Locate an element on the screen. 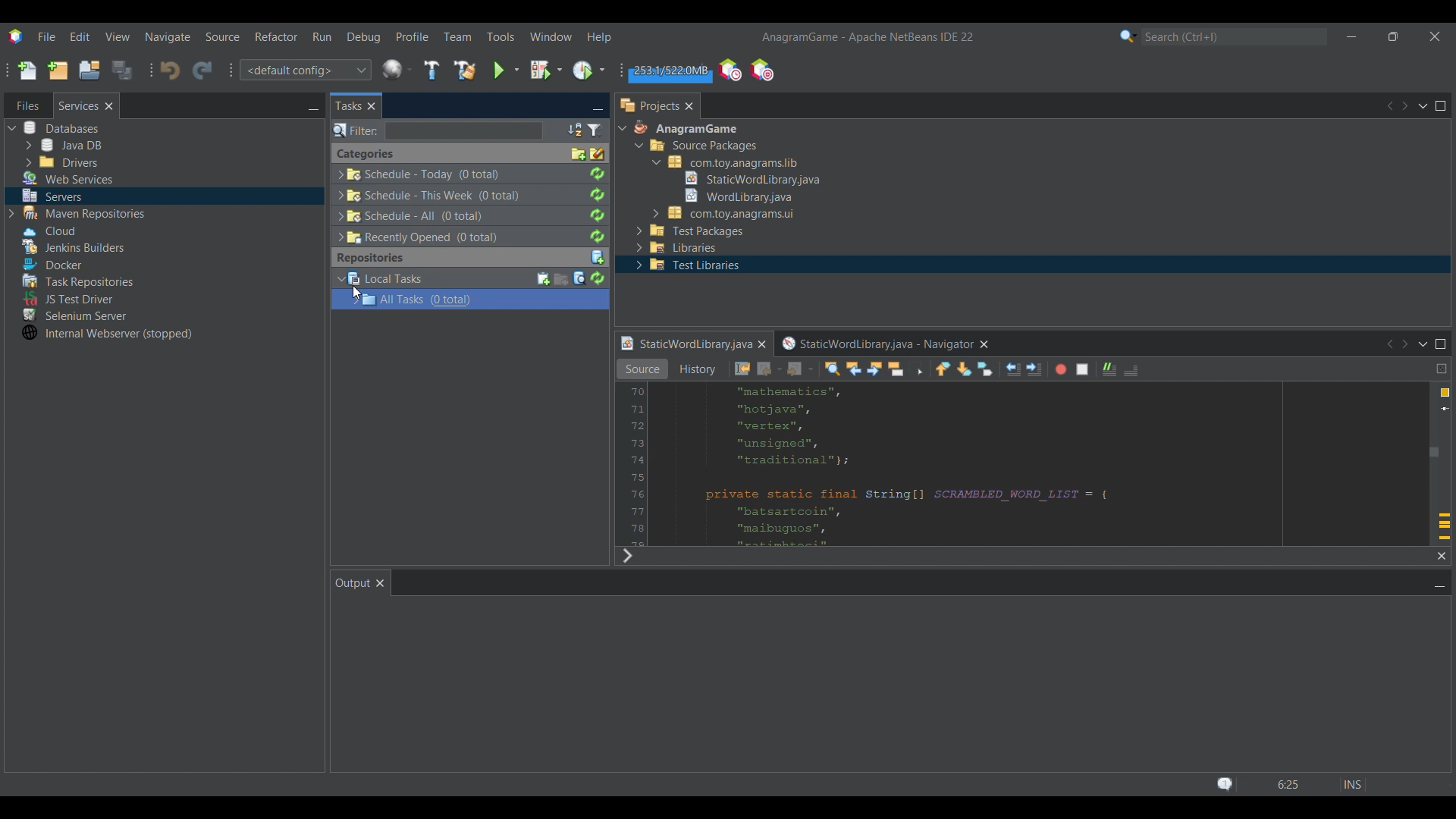 Image resolution: width=1456 pixels, height=819 pixels. Minimize is located at coordinates (311, 111).